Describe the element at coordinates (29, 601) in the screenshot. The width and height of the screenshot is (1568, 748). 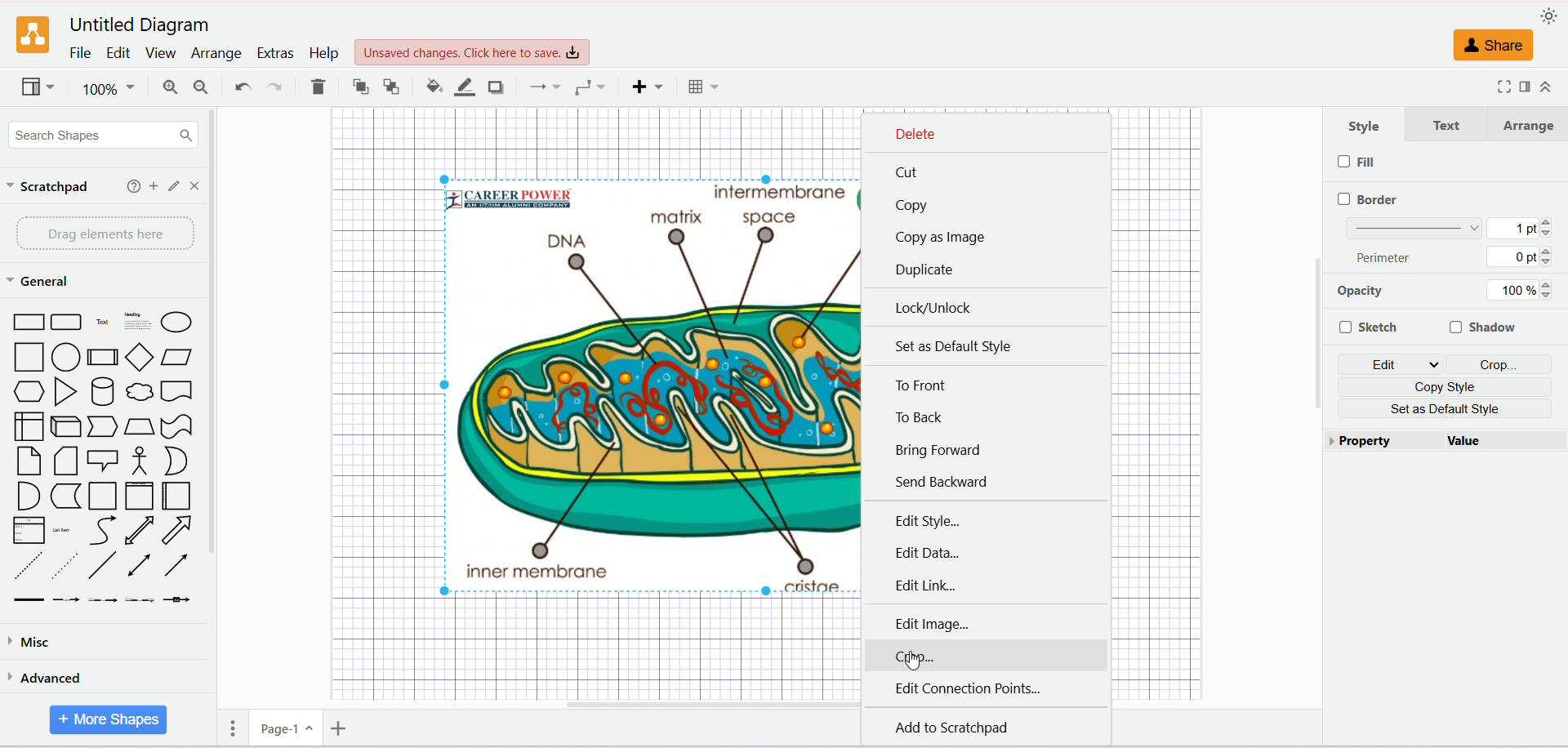
I see `Link` at that location.